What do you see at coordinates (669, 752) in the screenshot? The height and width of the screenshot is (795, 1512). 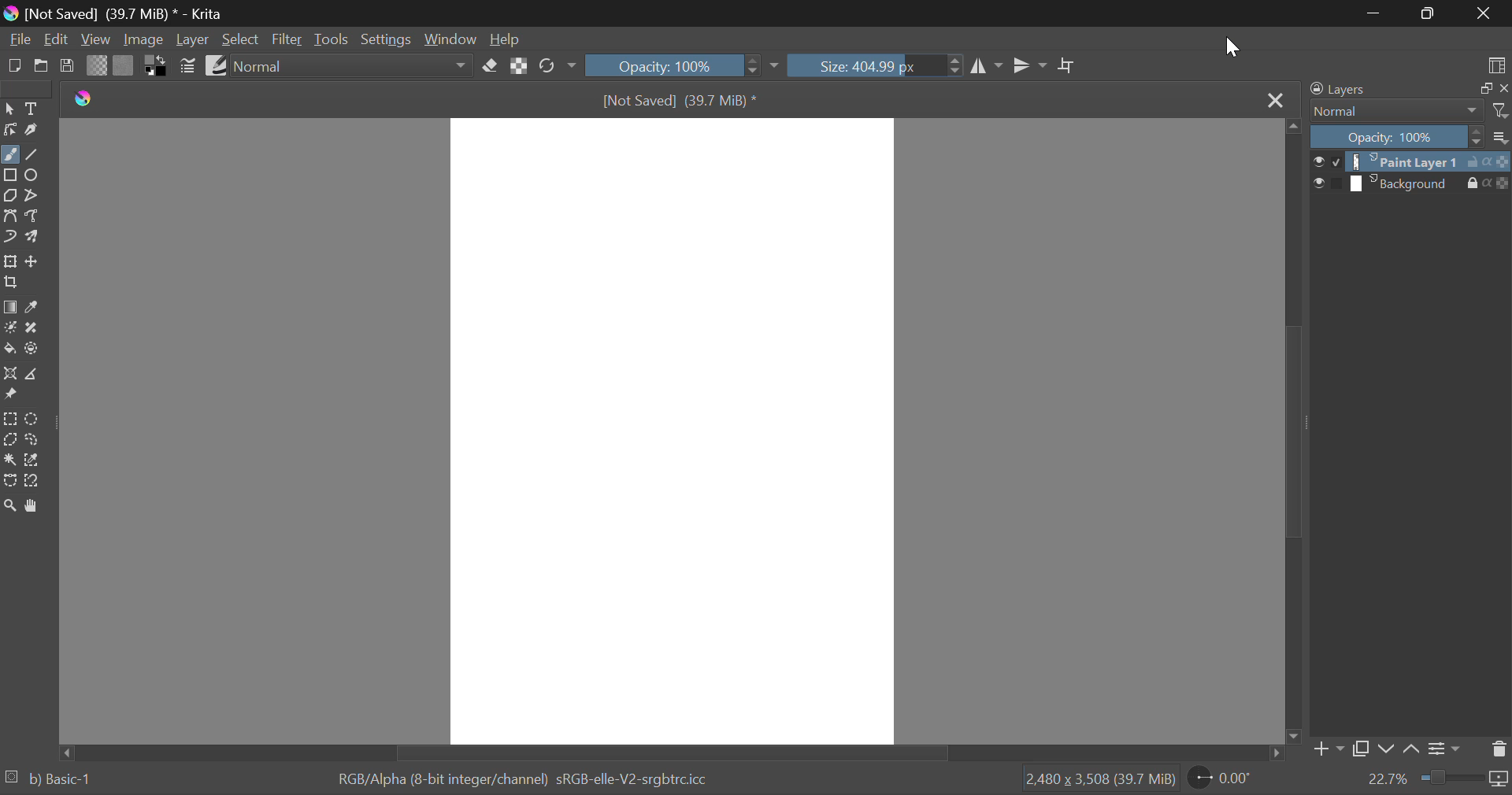 I see `Scroll Bar` at bounding box center [669, 752].